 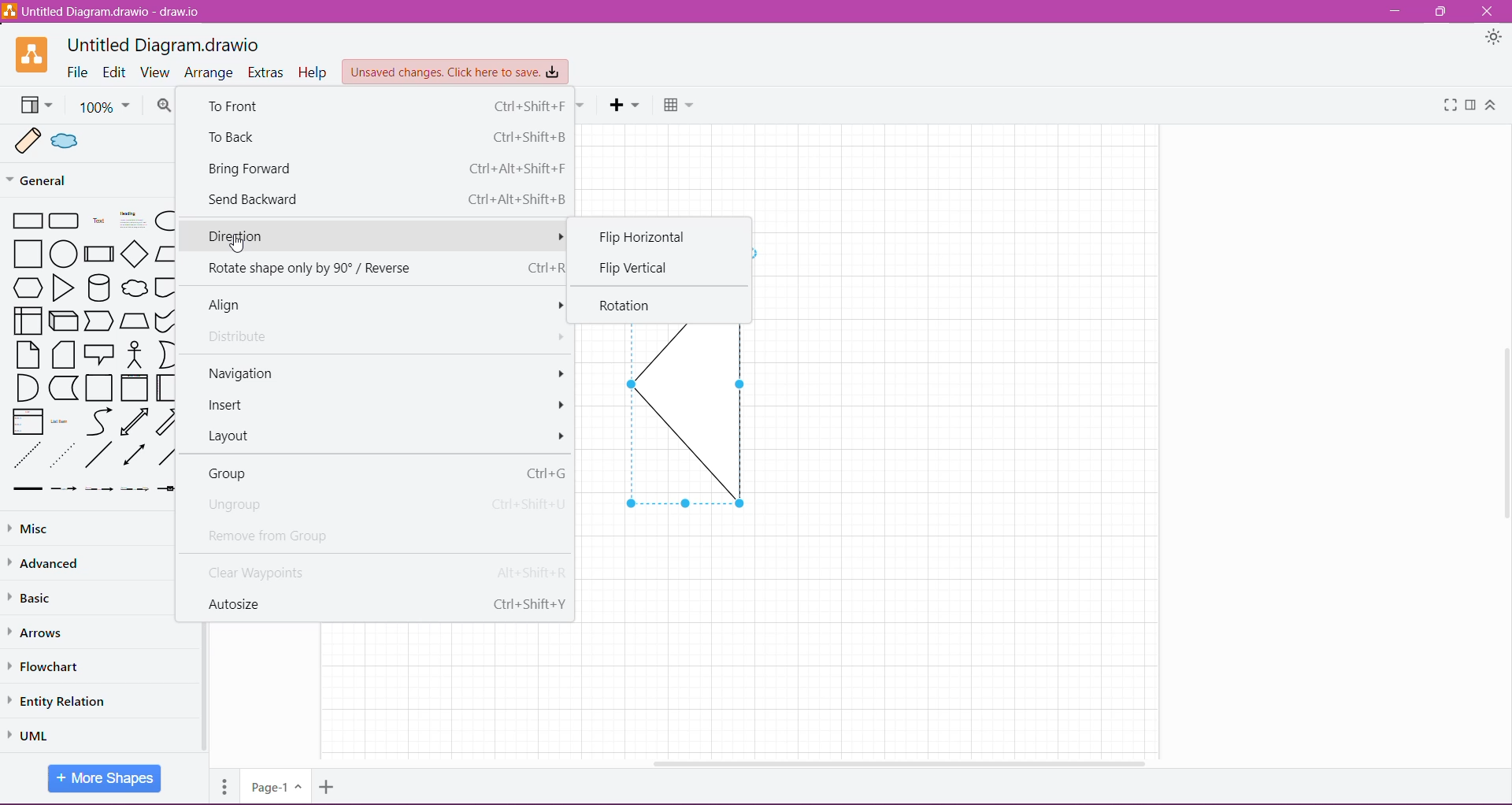 I want to click on Application Logo, so click(x=34, y=55).